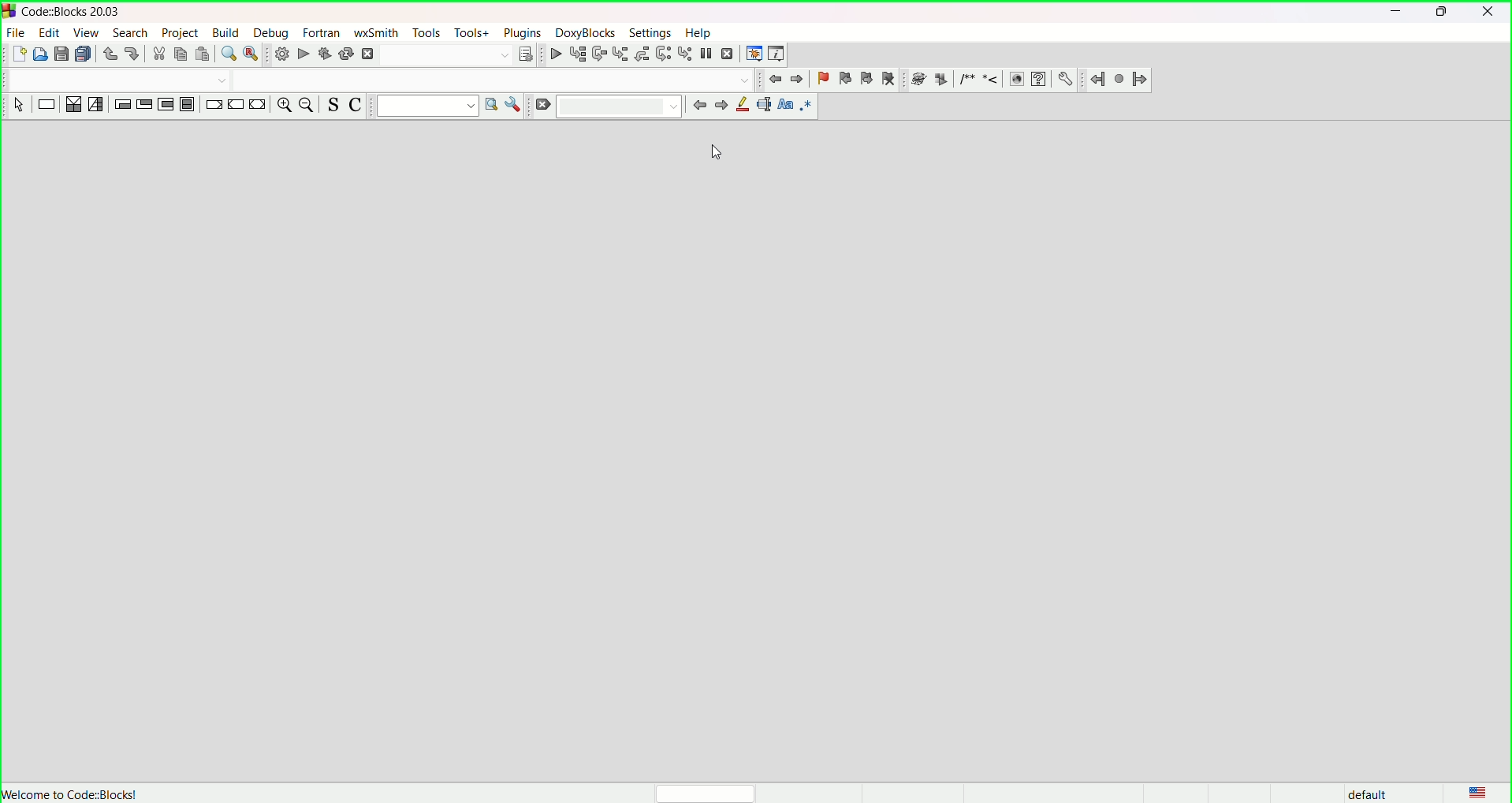  Describe the element at coordinates (166, 103) in the screenshot. I see `counting loop` at that location.